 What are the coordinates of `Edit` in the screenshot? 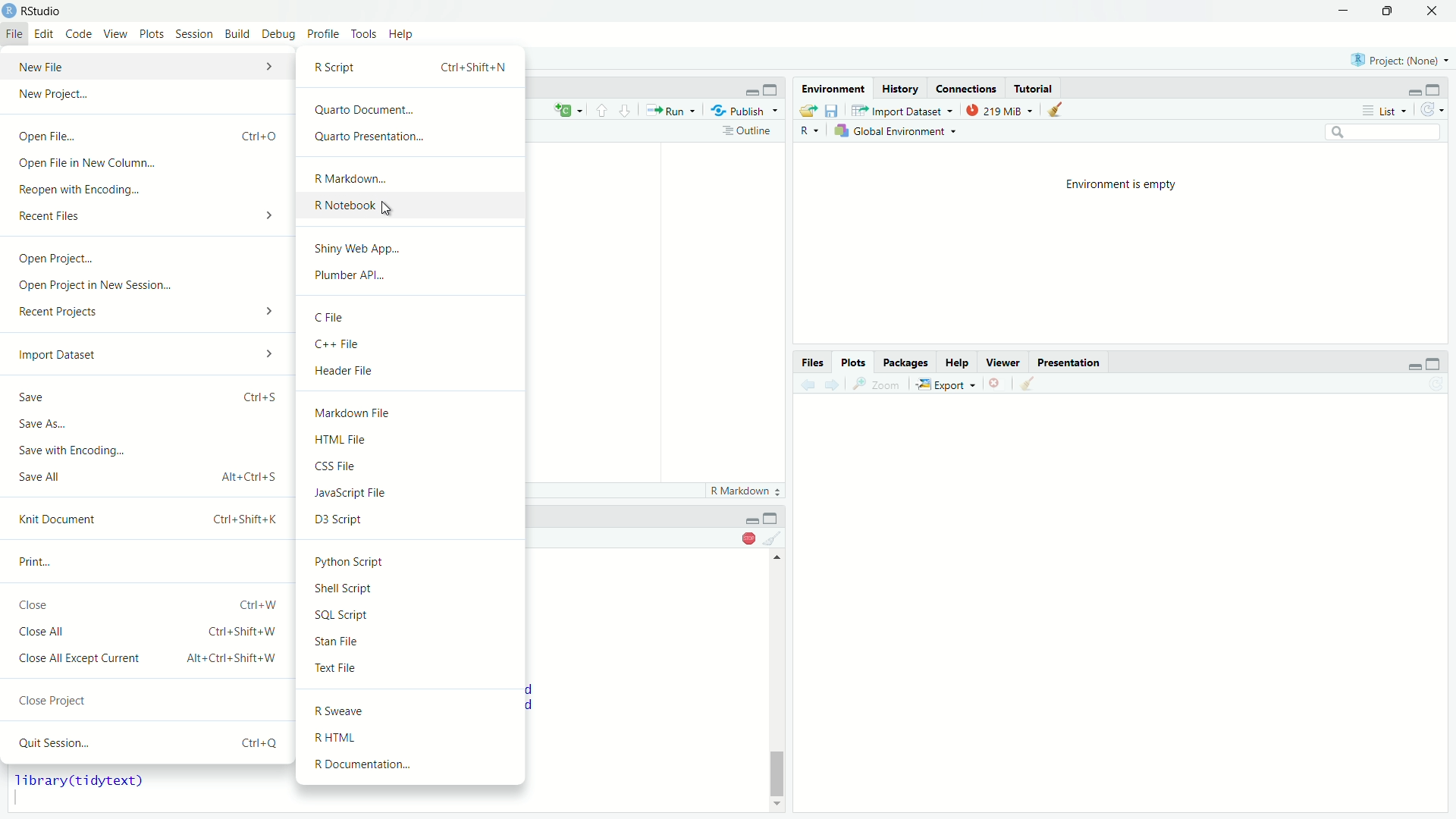 It's located at (43, 34).